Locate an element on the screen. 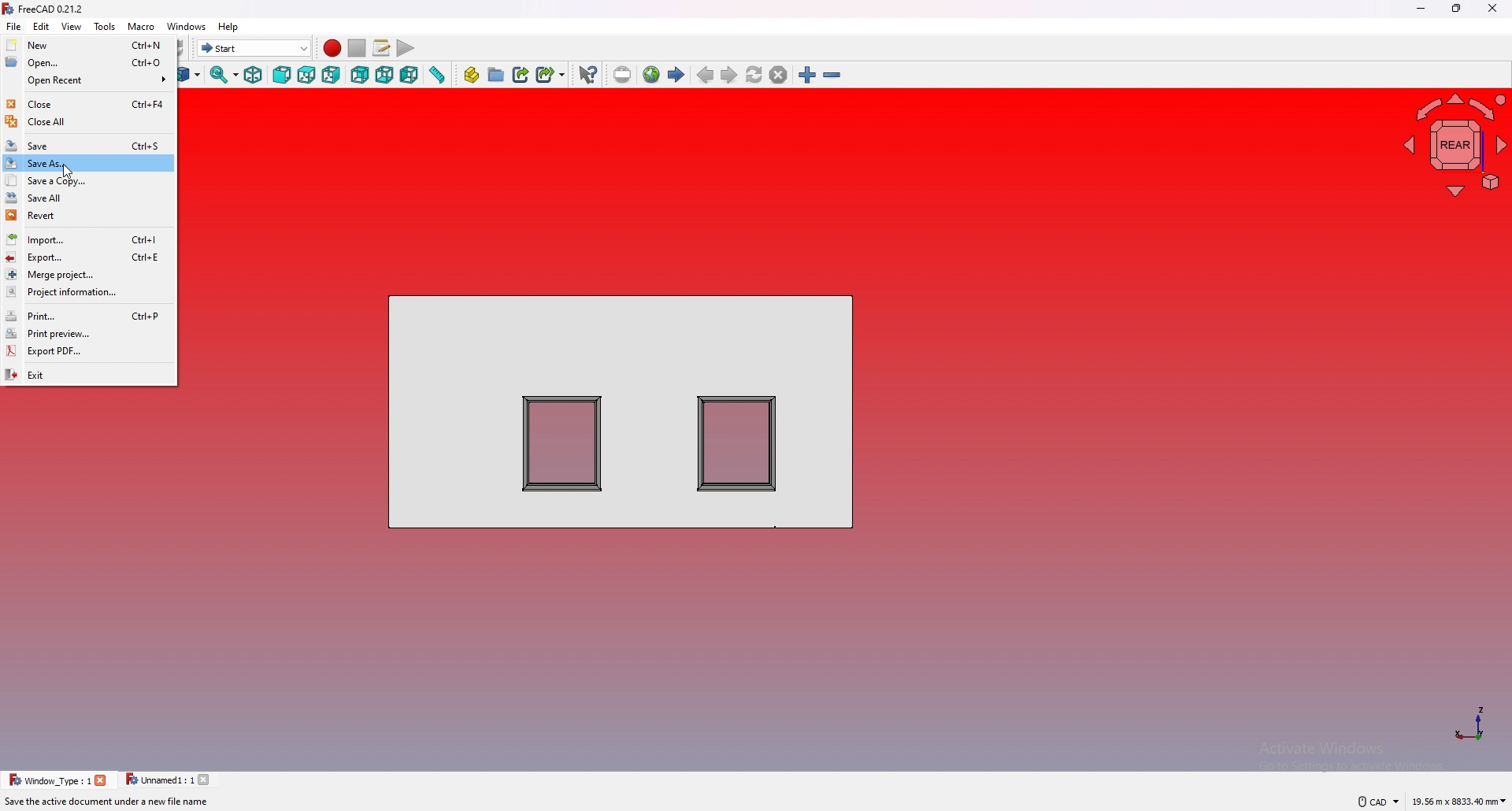 The height and width of the screenshot is (811, 1512). import ctrl+i is located at coordinates (87, 240).